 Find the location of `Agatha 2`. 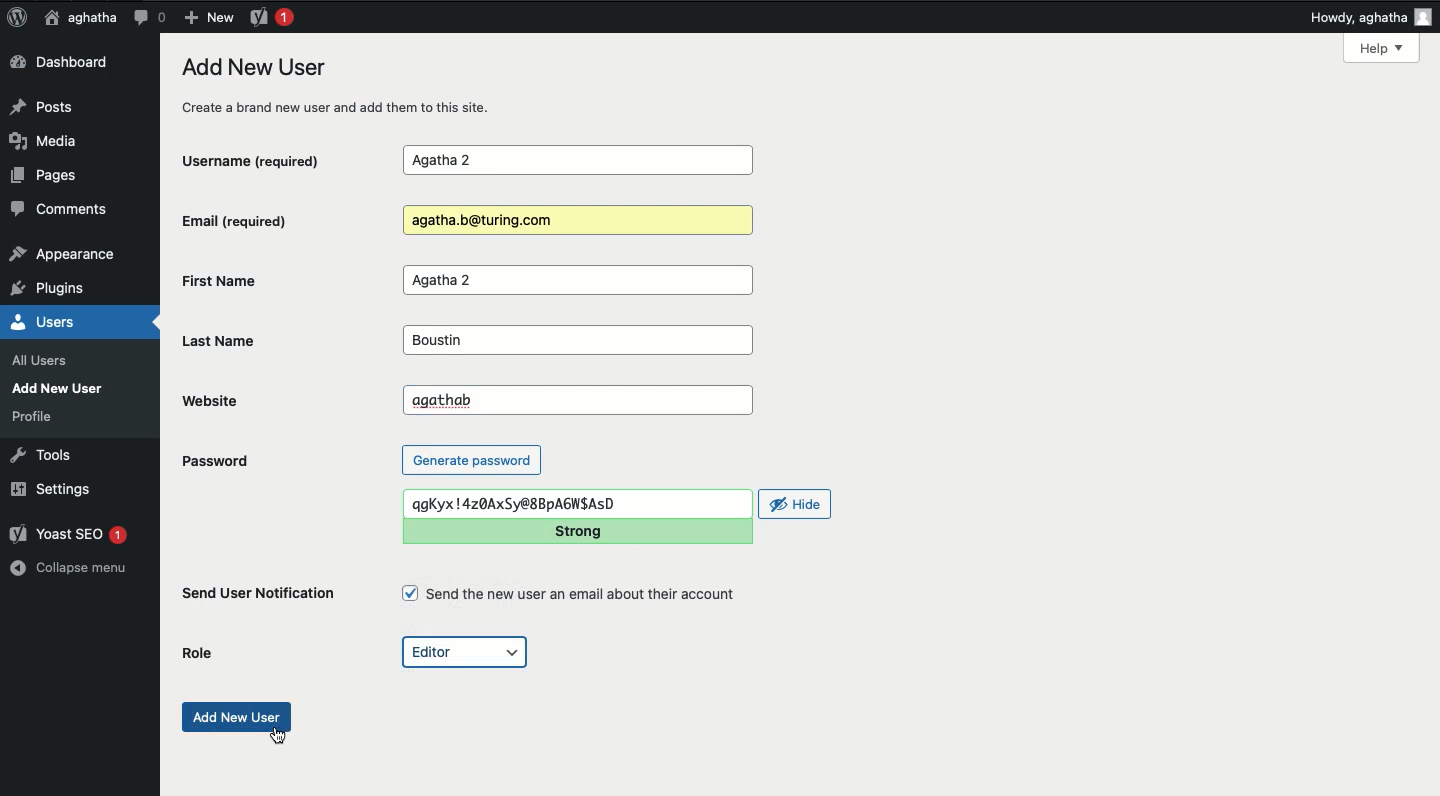

Agatha 2 is located at coordinates (577, 161).